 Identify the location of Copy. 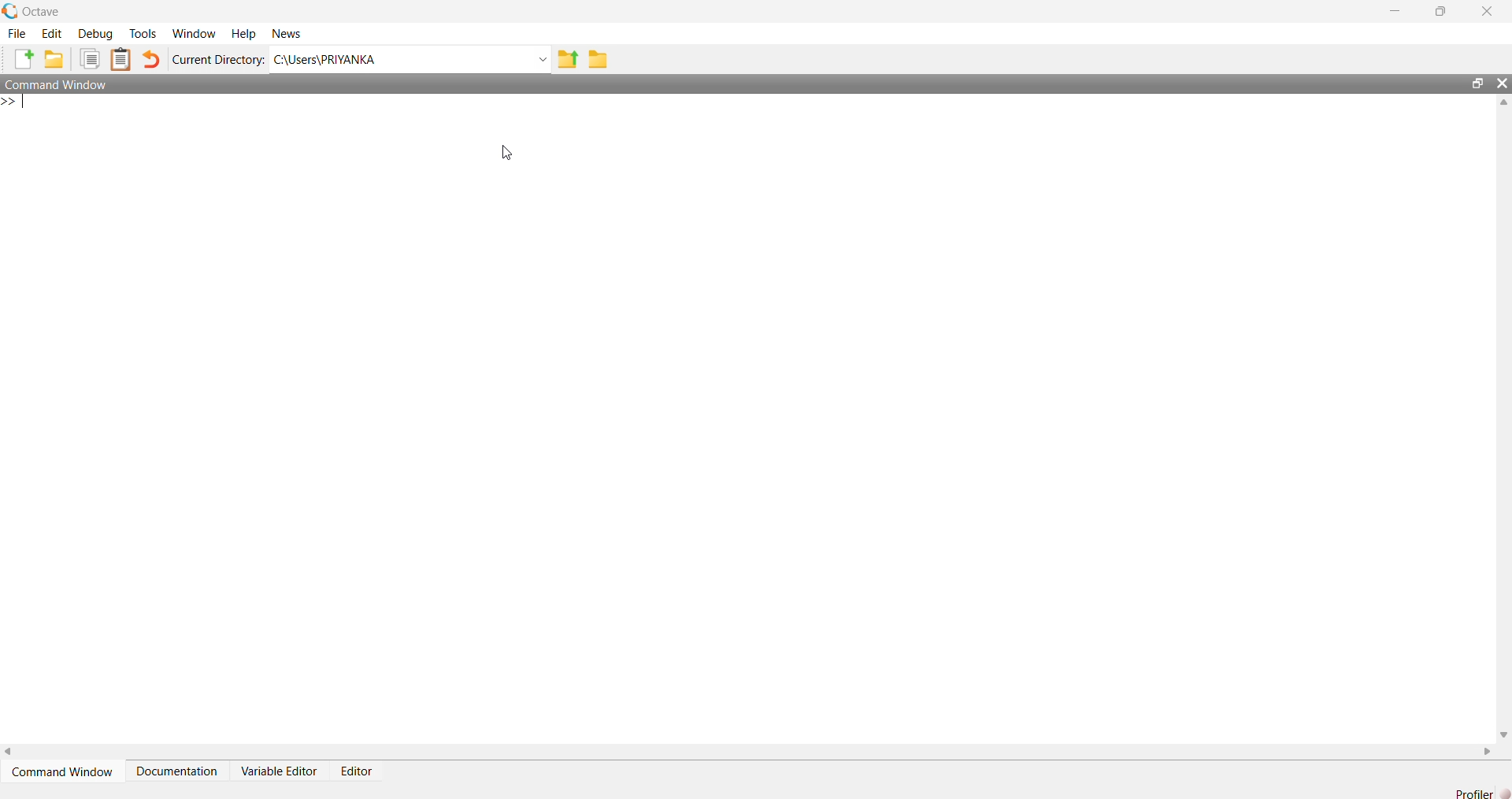
(91, 58).